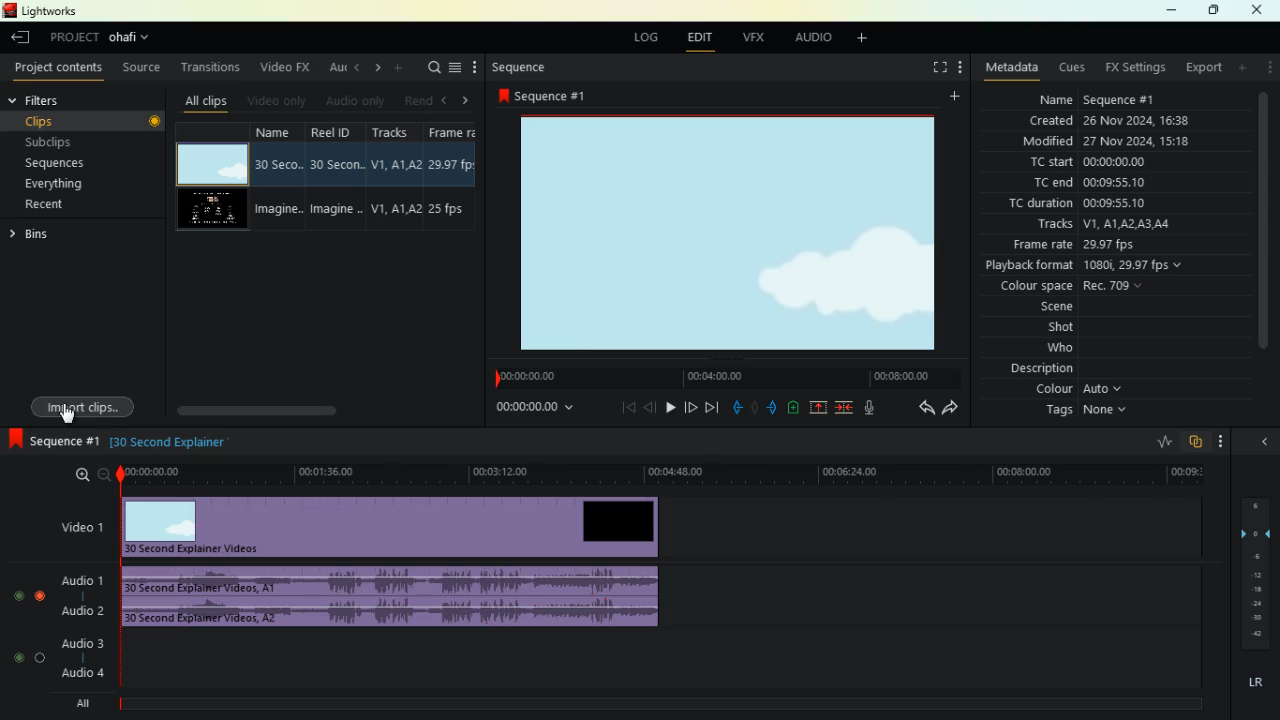 This screenshot has height=720, width=1280. What do you see at coordinates (691, 409) in the screenshot?
I see `forward` at bounding box center [691, 409].